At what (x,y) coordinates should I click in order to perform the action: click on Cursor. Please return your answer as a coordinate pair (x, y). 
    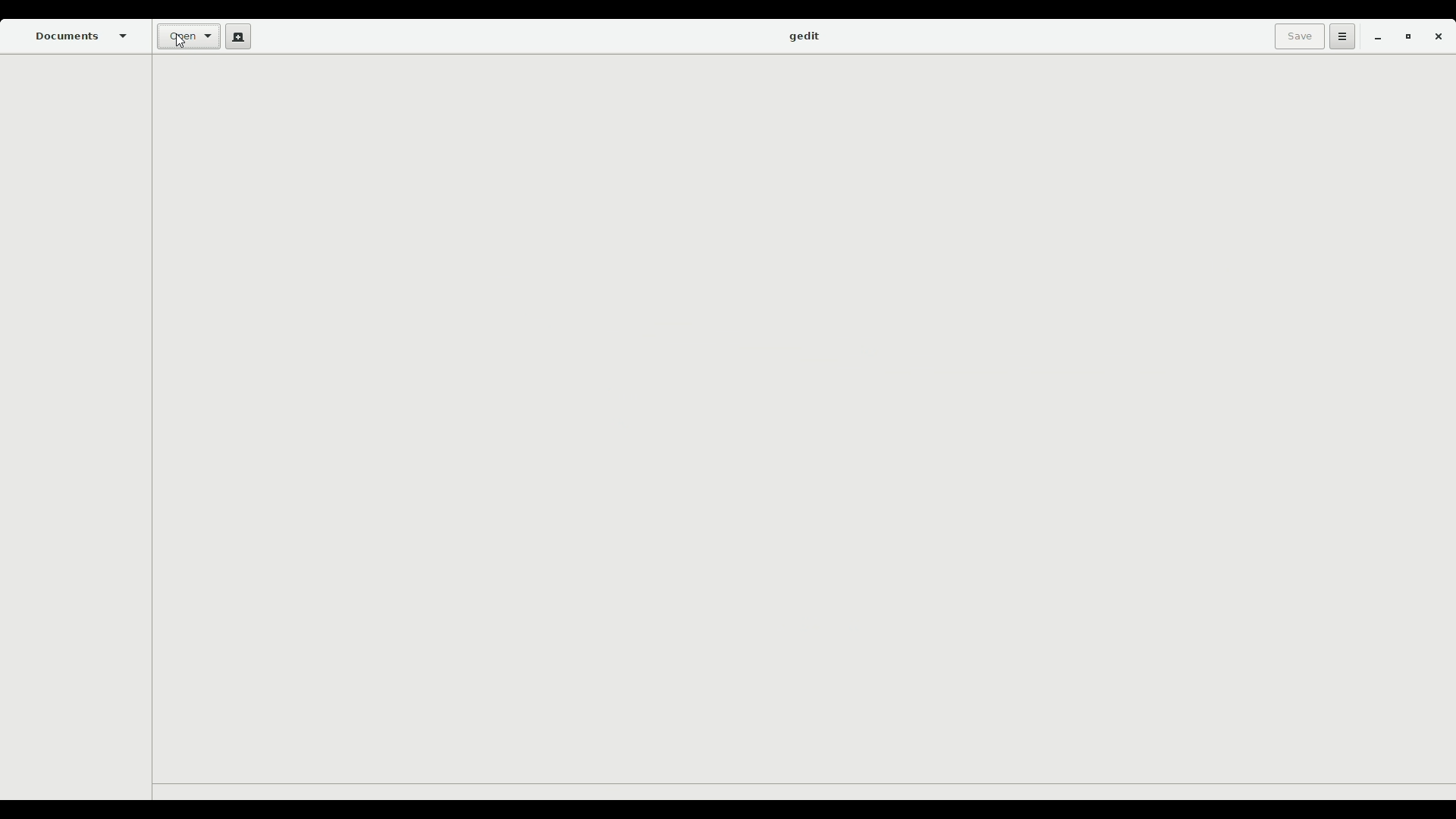
    Looking at the image, I should click on (179, 45).